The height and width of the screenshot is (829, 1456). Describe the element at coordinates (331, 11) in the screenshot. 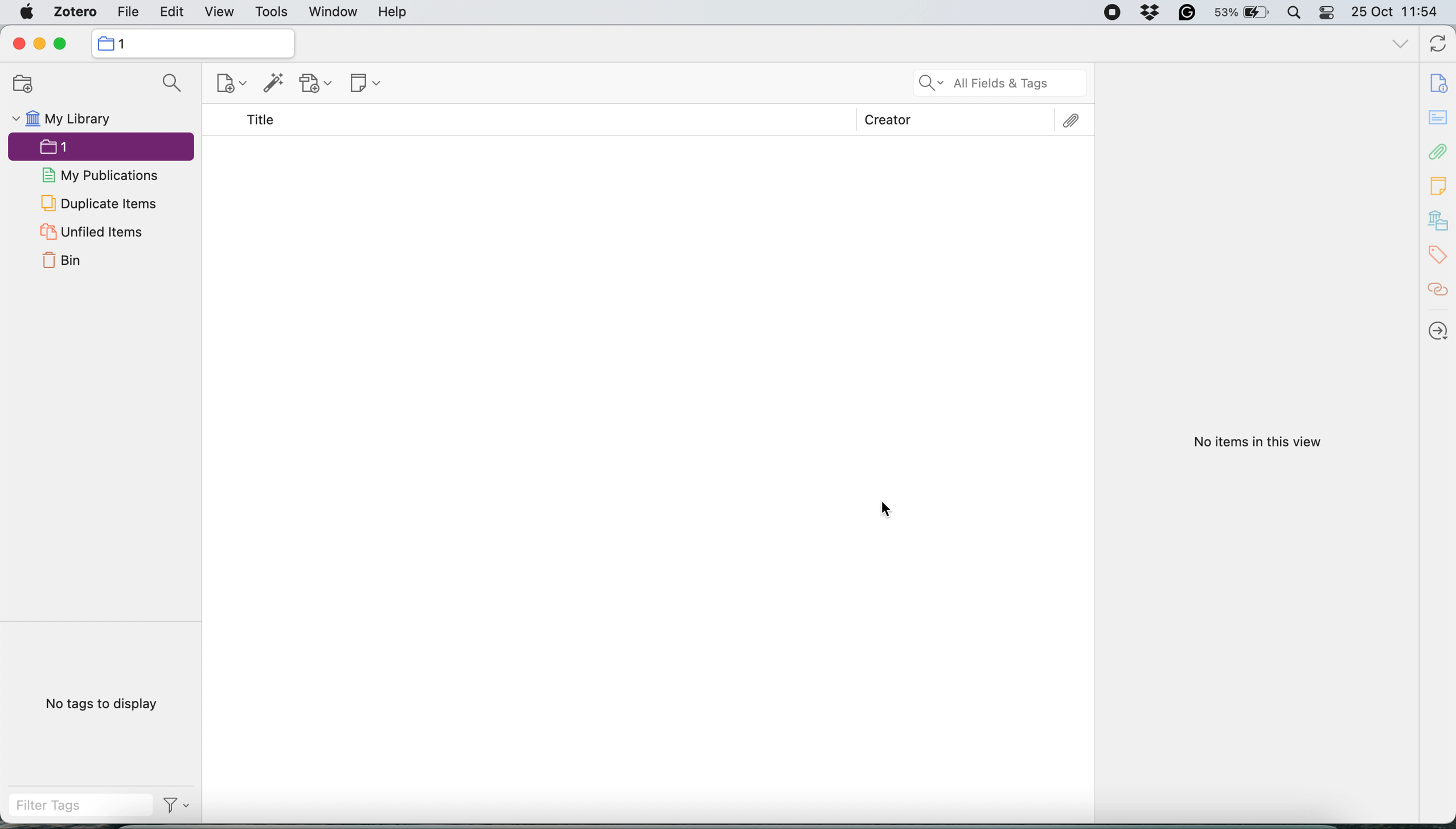

I see `window` at that location.